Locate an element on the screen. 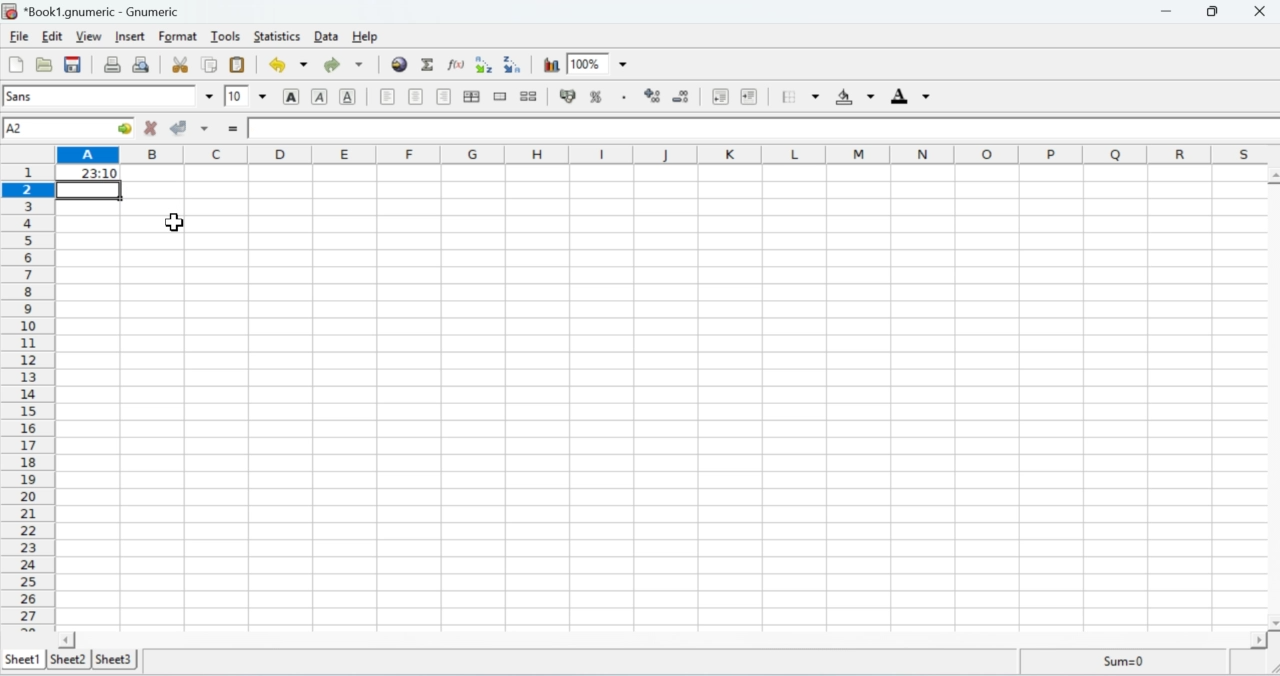 The height and width of the screenshot is (676, 1280). Center horizontally is located at coordinates (418, 98).